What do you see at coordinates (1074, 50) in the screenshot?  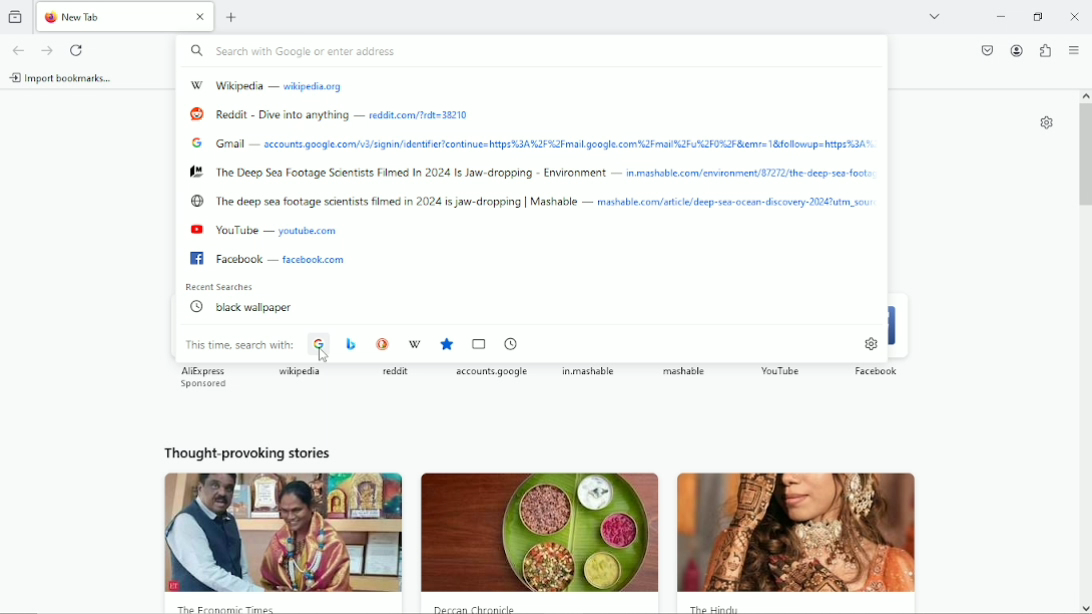 I see `open application menu` at bounding box center [1074, 50].